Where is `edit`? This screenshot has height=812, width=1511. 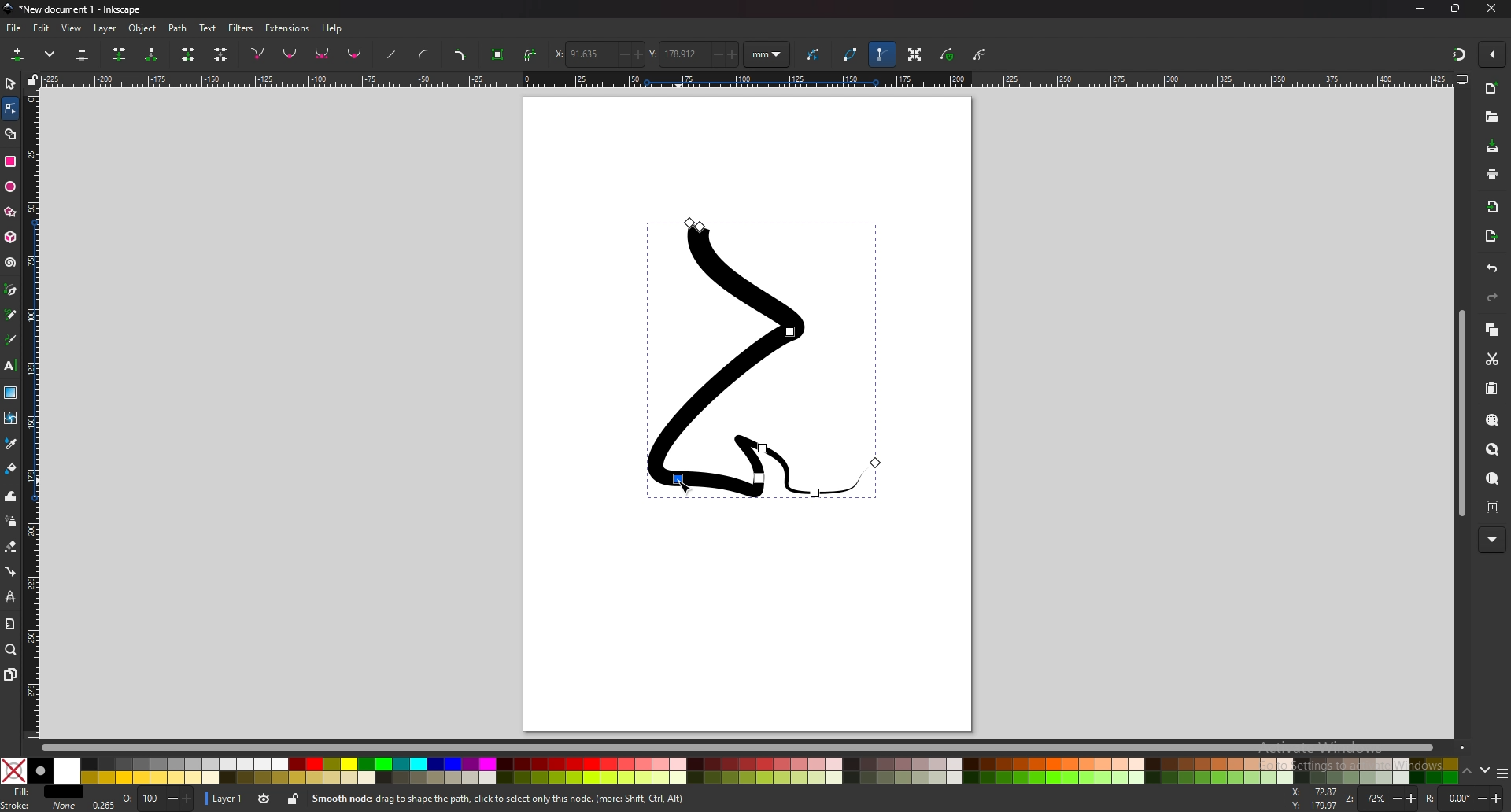 edit is located at coordinates (43, 28).